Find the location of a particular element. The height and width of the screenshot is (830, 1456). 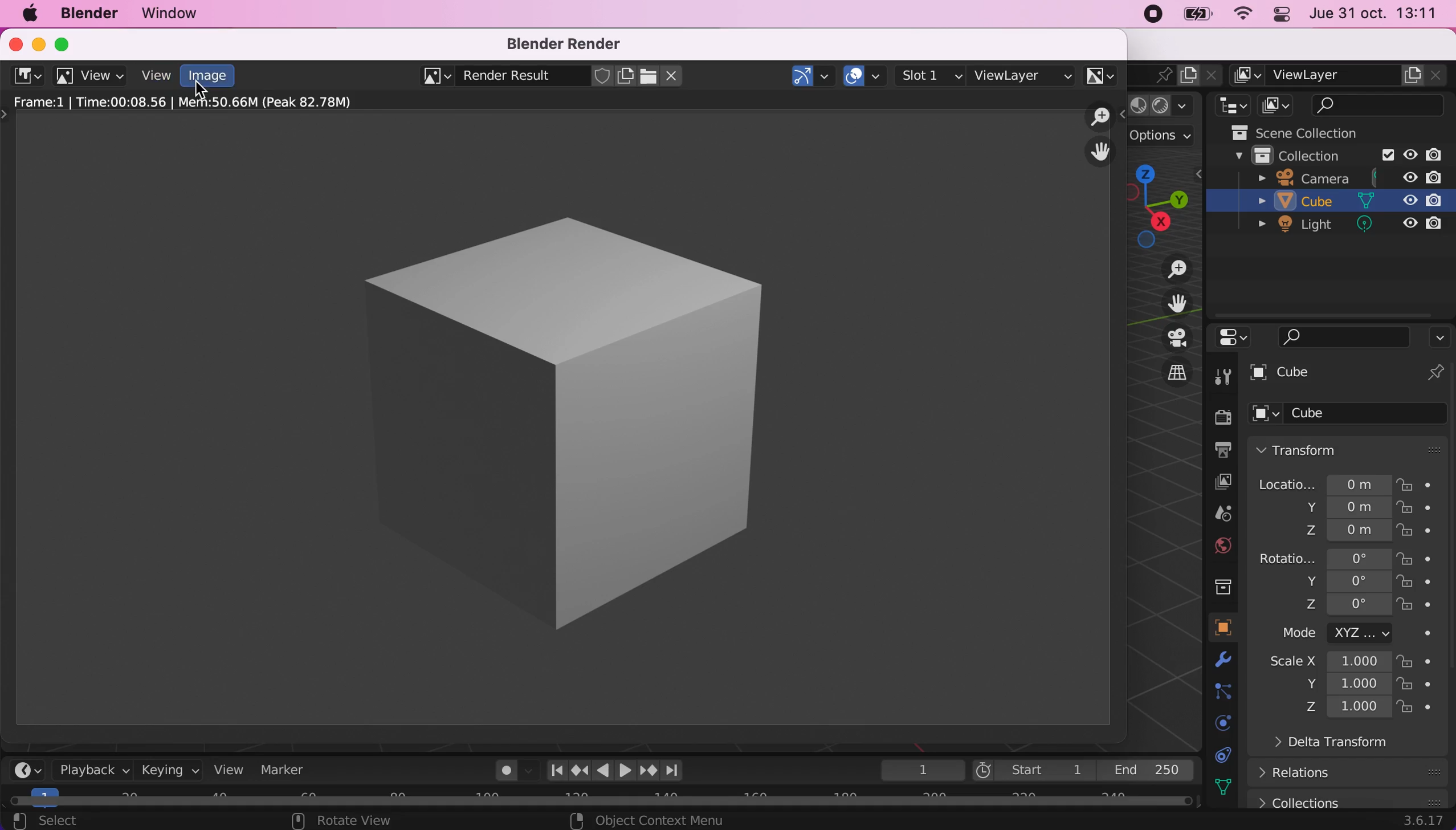

rotation y is located at coordinates (1335, 583).